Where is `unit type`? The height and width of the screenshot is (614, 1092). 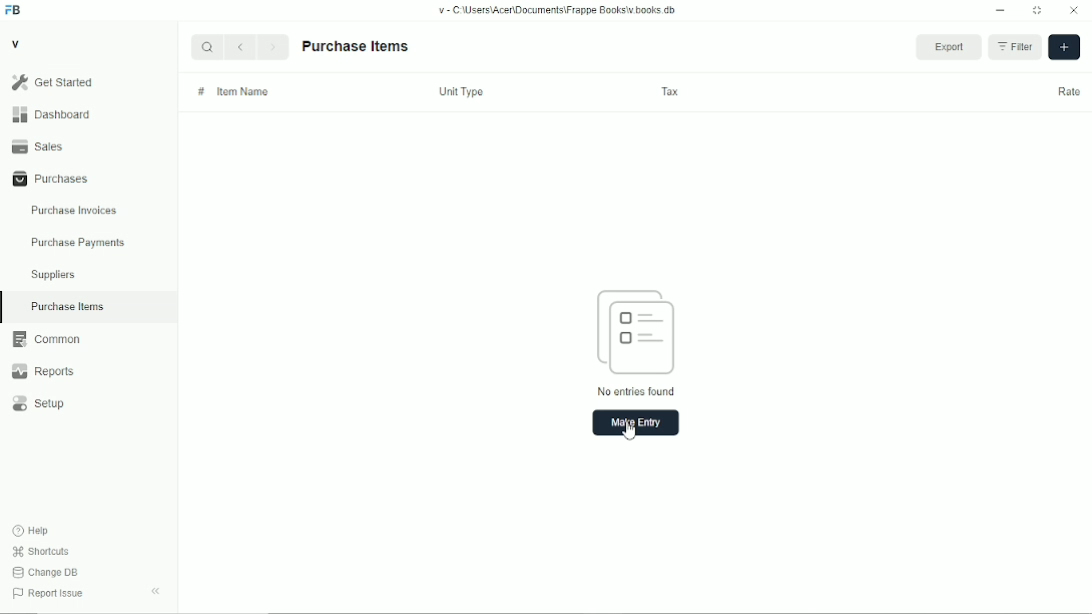 unit type is located at coordinates (462, 92).